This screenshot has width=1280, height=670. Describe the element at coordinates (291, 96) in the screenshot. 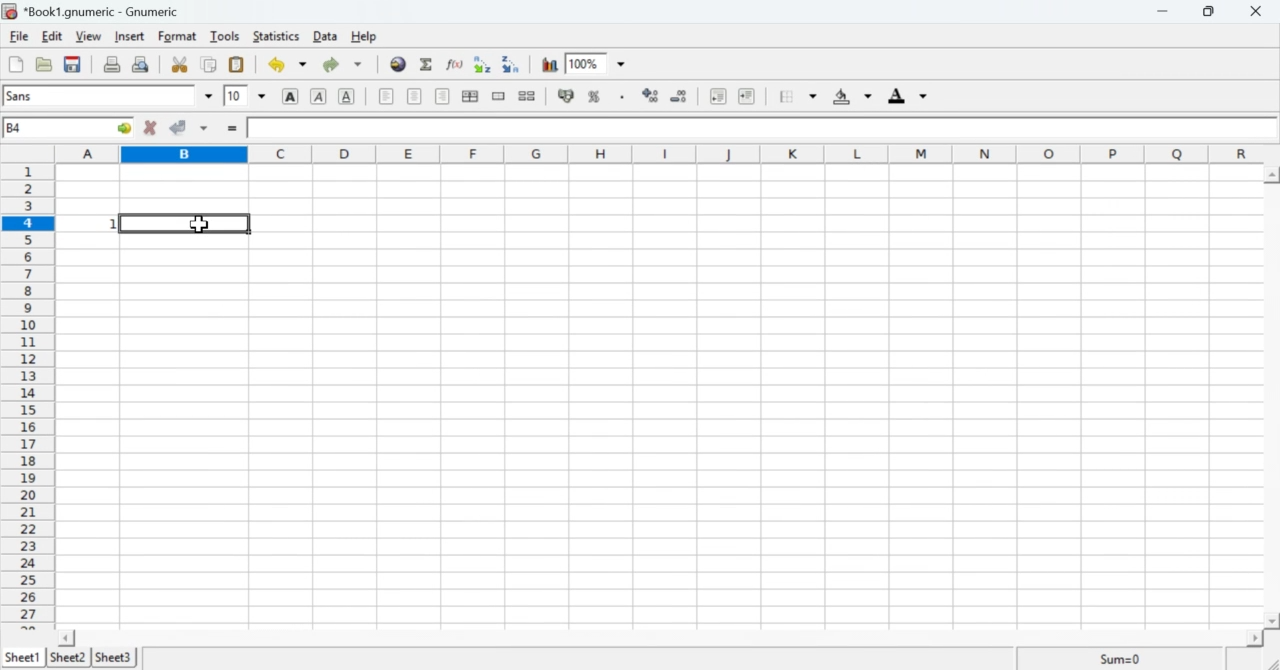

I see `Bold` at that location.